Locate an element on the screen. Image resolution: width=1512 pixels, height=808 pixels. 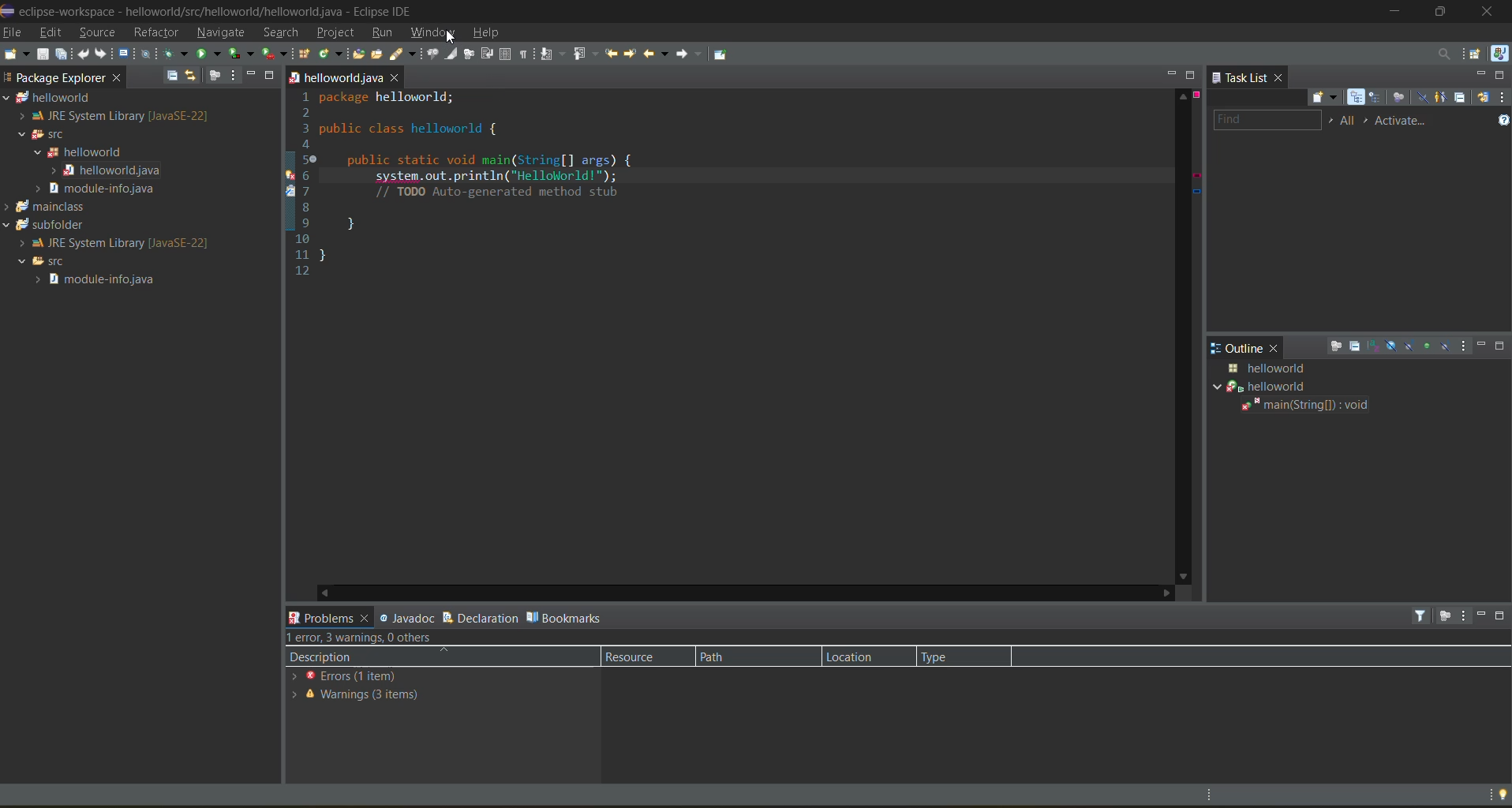
path is located at coordinates (746, 658).